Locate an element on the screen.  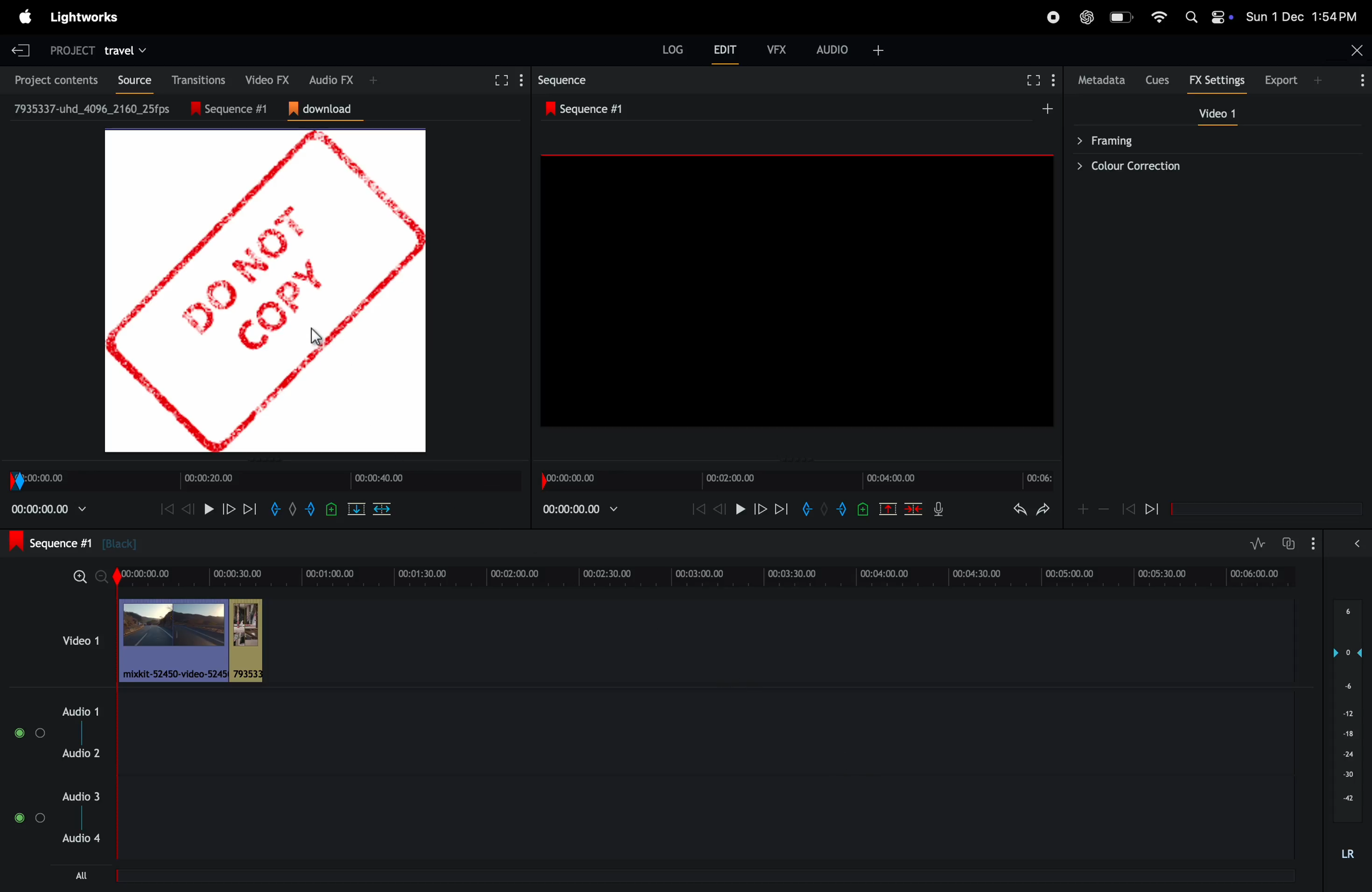
full screen is located at coordinates (499, 81).